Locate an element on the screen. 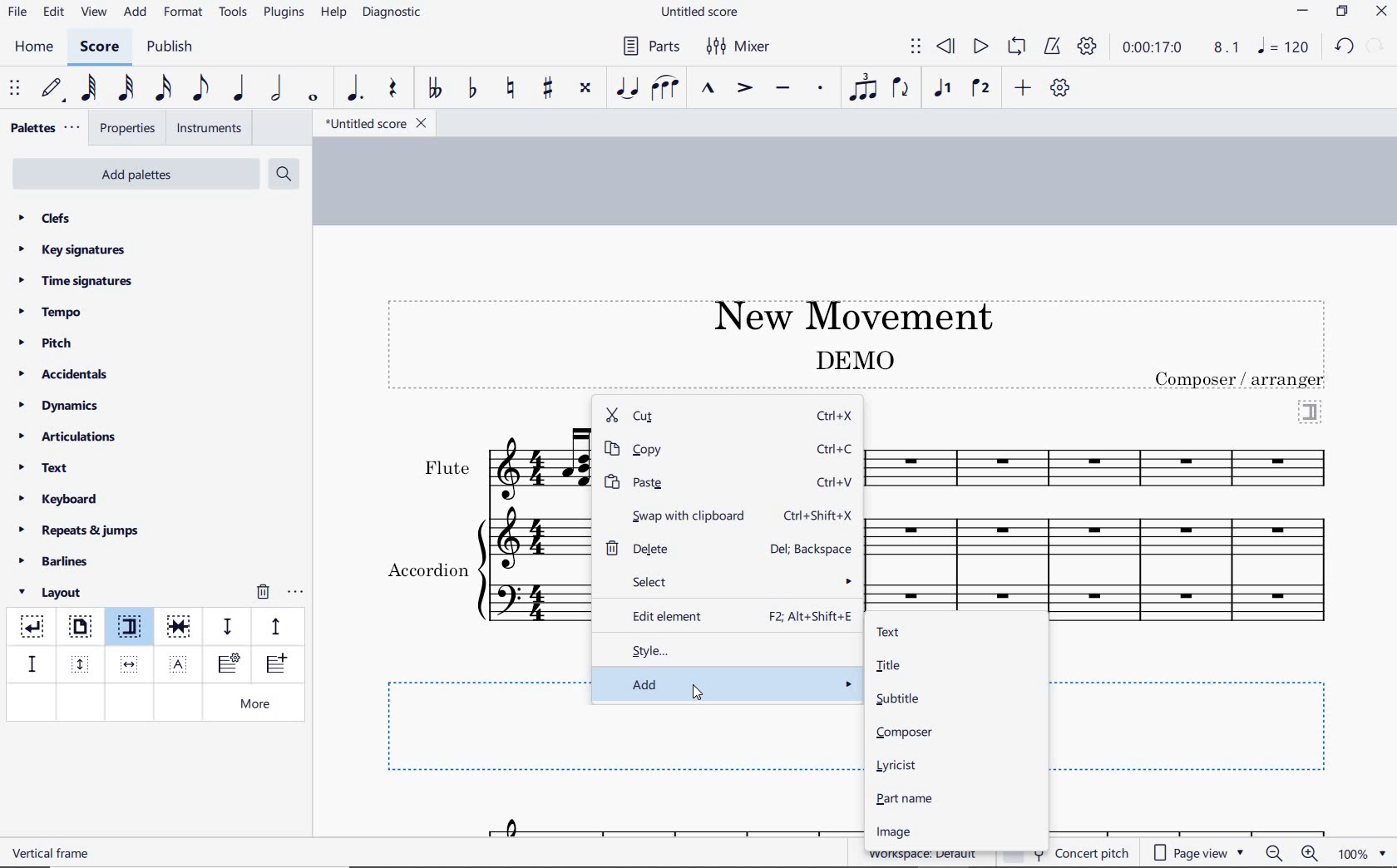 This screenshot has height=868, width=1397. cursor is located at coordinates (699, 693).